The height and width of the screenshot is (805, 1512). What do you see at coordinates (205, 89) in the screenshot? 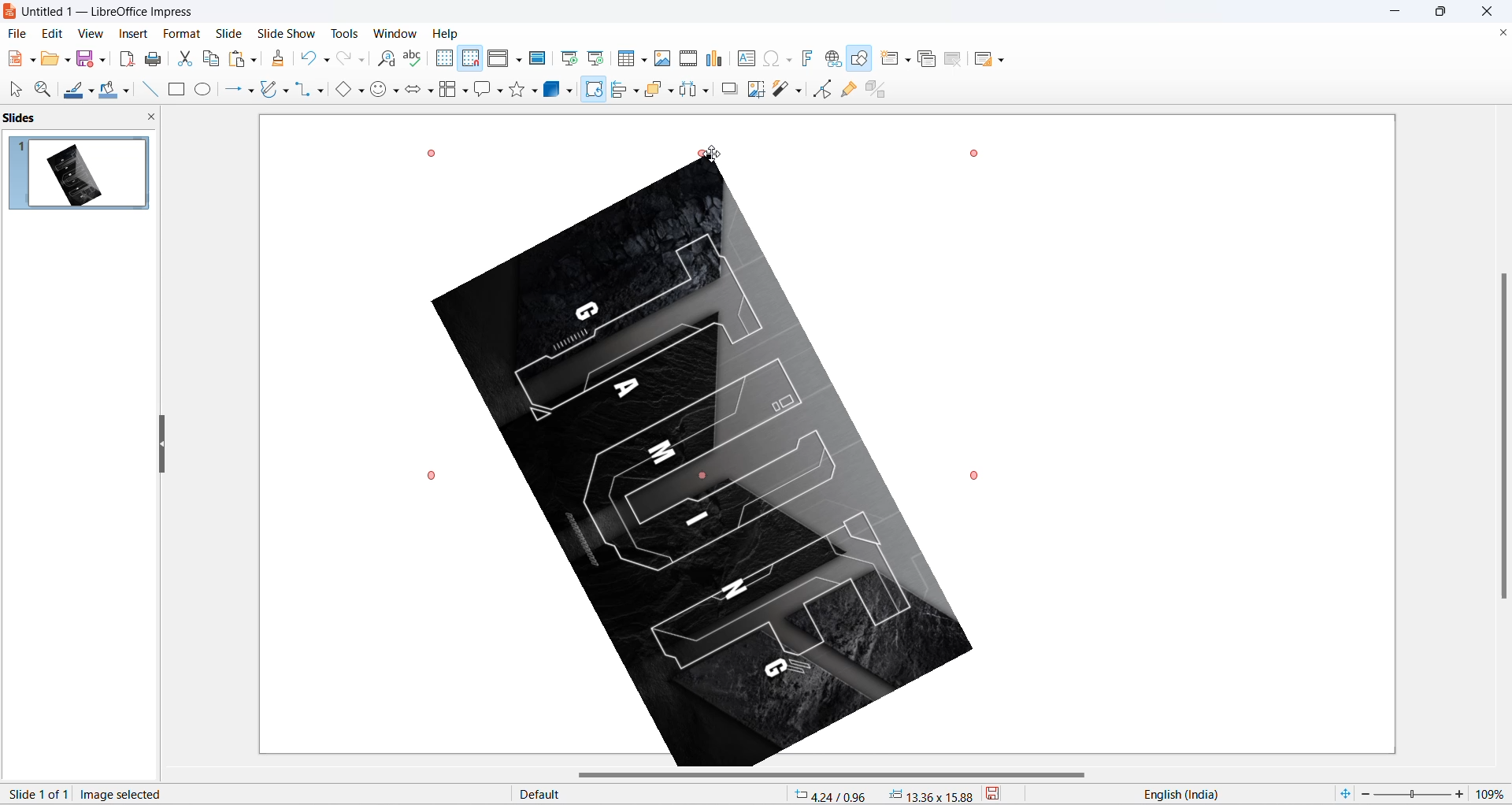
I see `ellipse` at bounding box center [205, 89].